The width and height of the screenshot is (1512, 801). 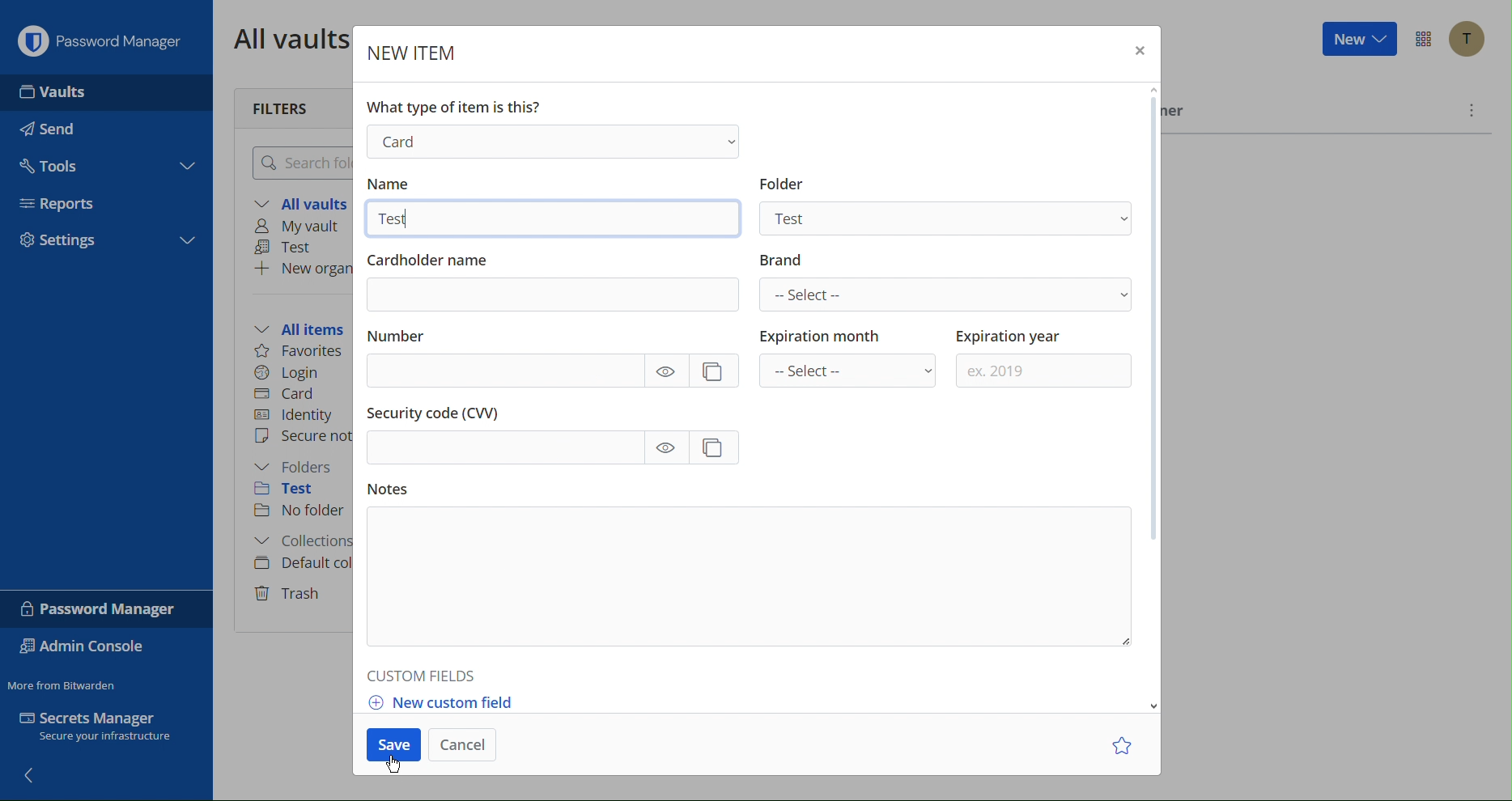 I want to click on Trash, so click(x=291, y=595).